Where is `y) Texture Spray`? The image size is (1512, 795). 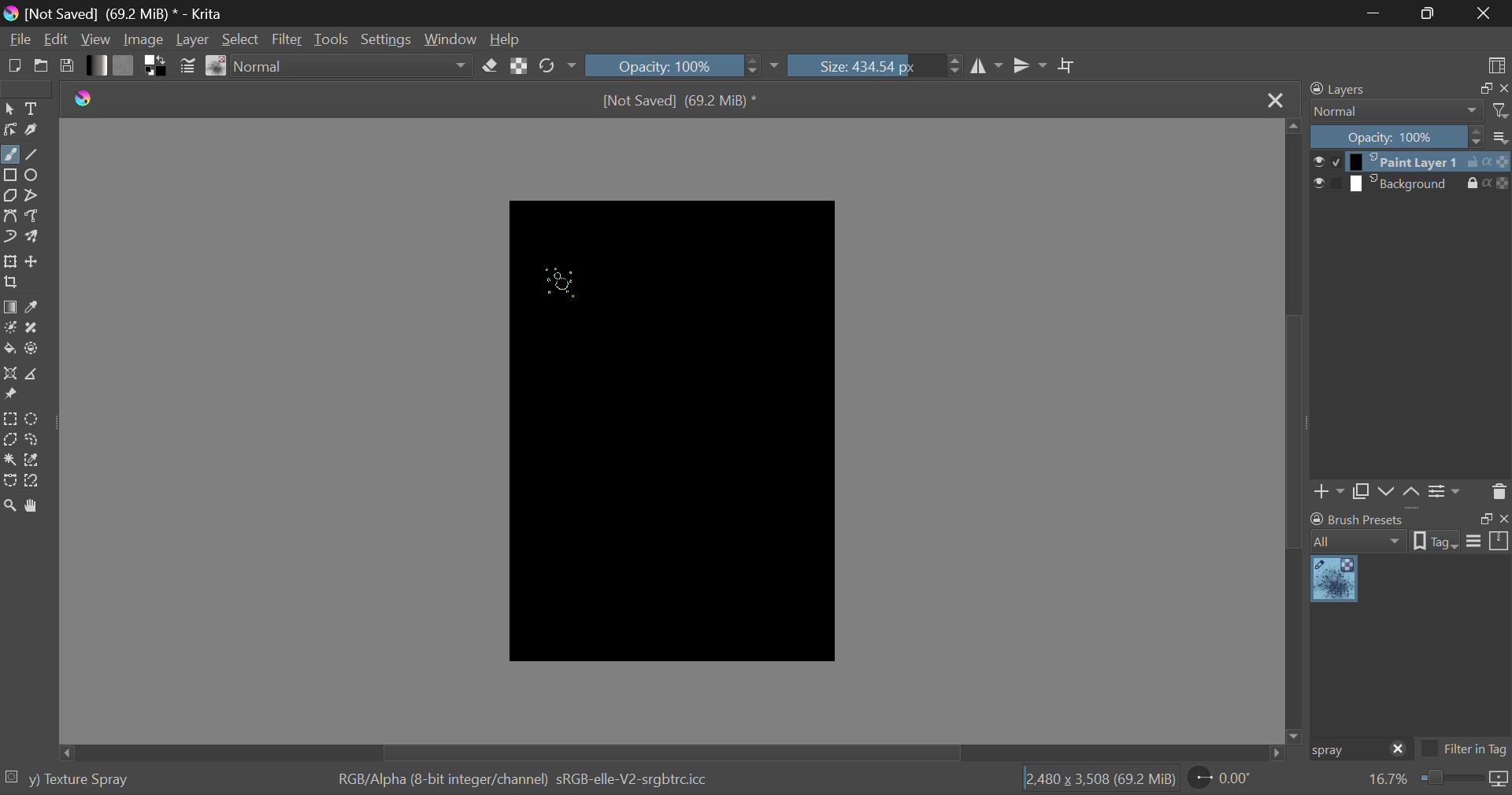 y) Texture Spray is located at coordinates (79, 780).